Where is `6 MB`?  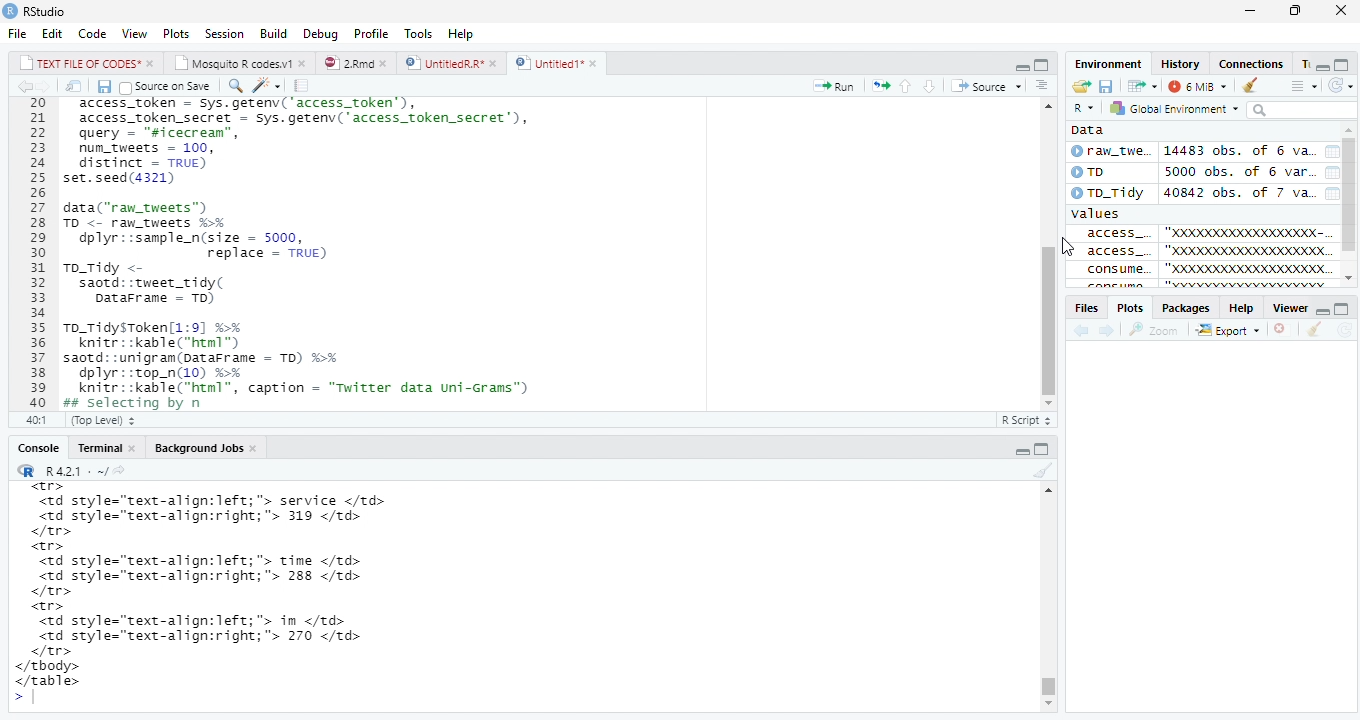 6 MB is located at coordinates (1196, 85).